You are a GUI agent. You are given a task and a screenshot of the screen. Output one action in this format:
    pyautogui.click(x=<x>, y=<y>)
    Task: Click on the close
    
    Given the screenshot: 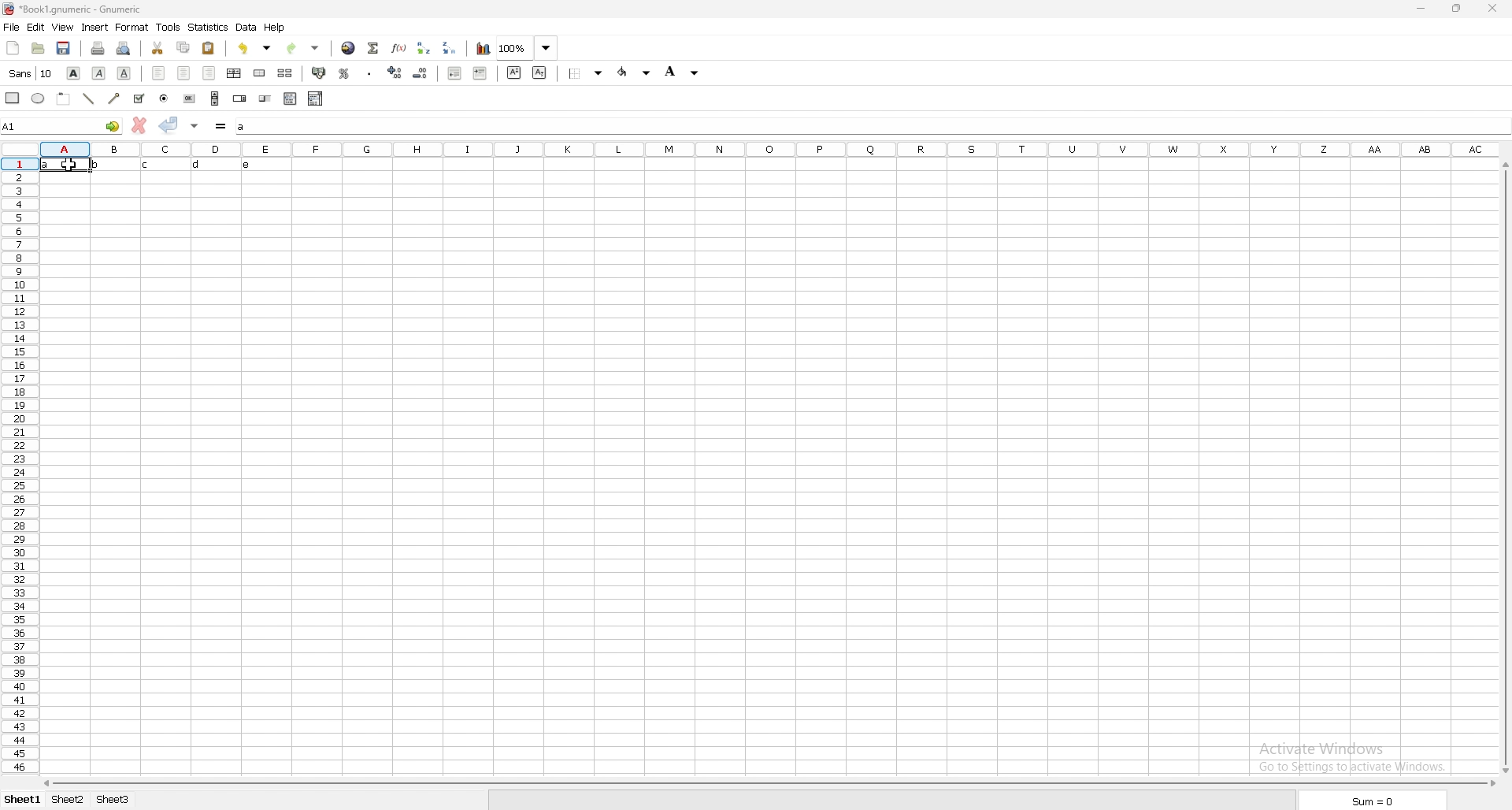 What is the action you would take?
    pyautogui.click(x=1491, y=9)
    